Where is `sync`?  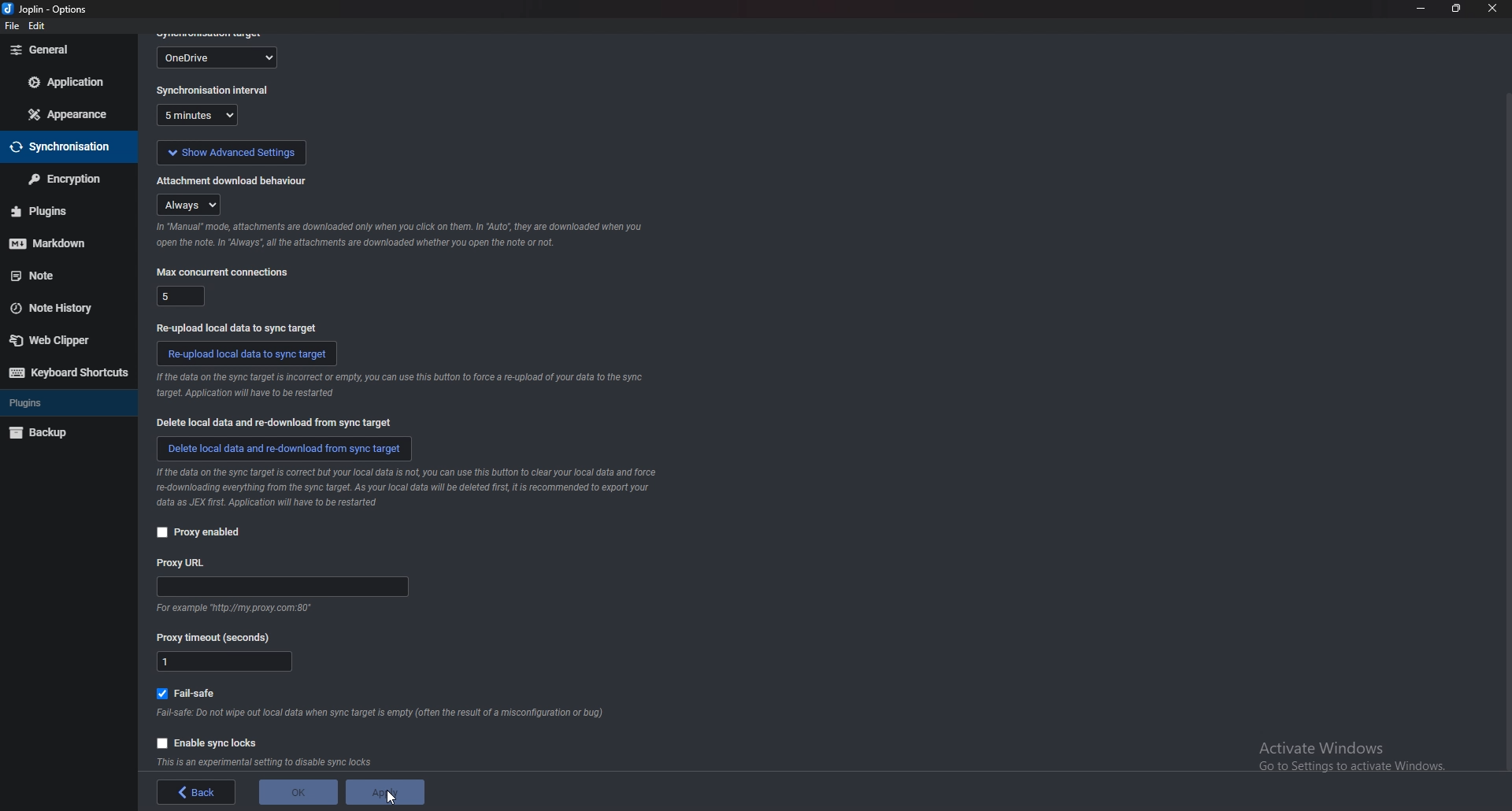 sync is located at coordinates (64, 148).